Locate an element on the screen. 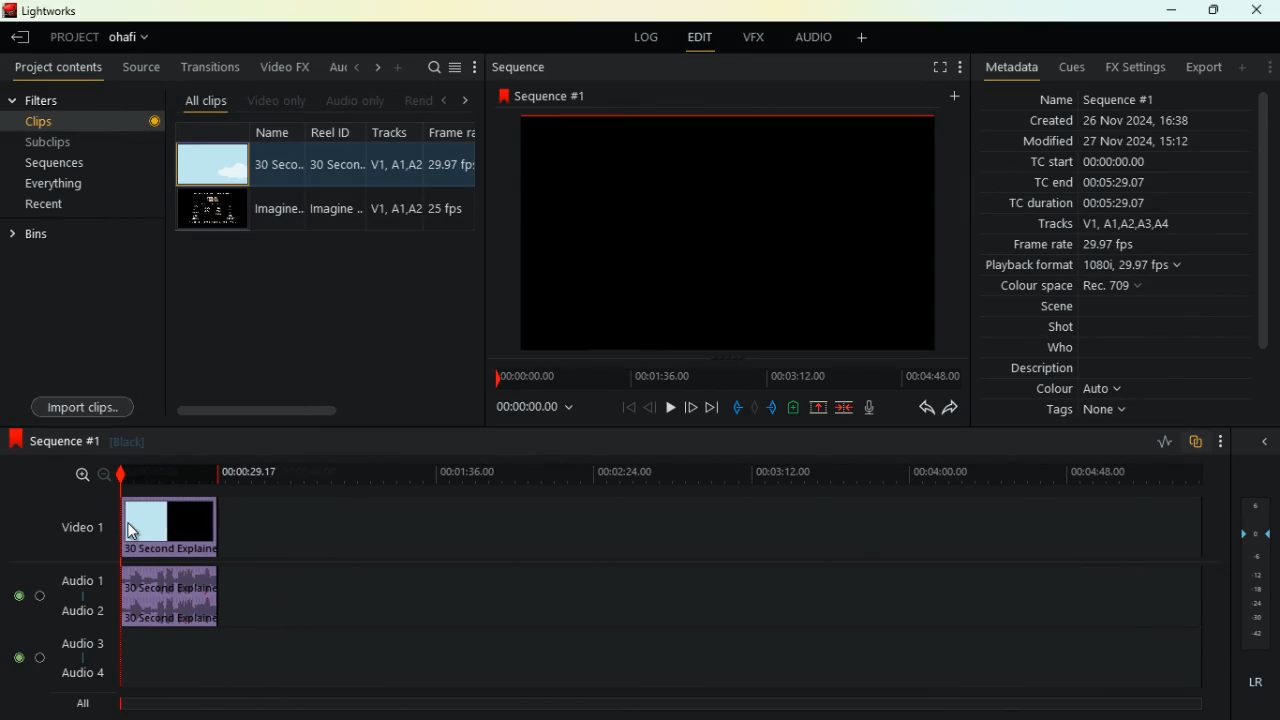 The height and width of the screenshot is (720, 1280). name is located at coordinates (278, 178).